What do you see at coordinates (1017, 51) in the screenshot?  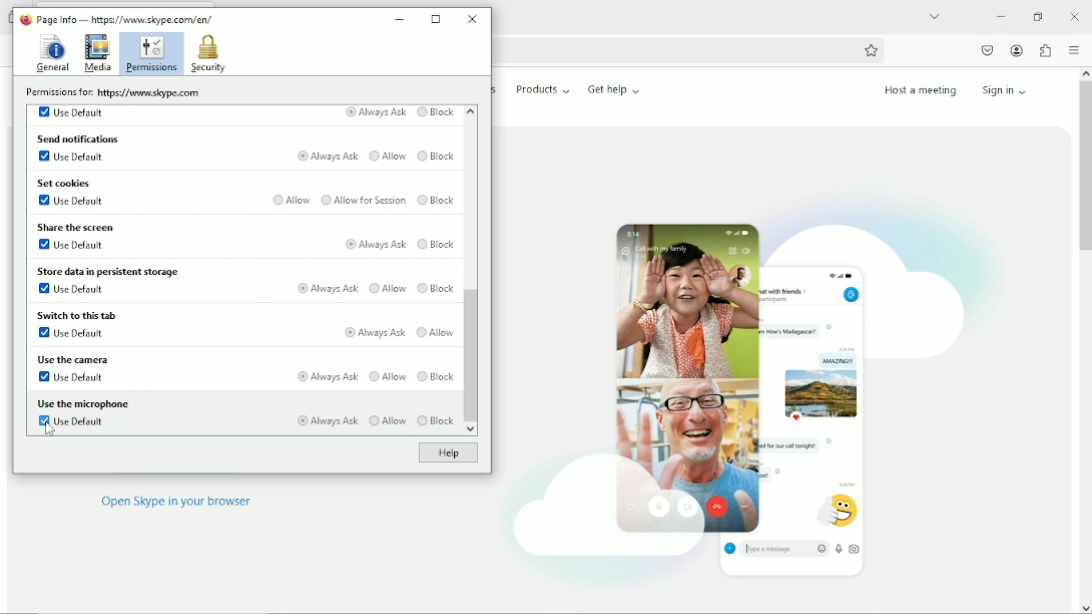 I see `Account` at bounding box center [1017, 51].